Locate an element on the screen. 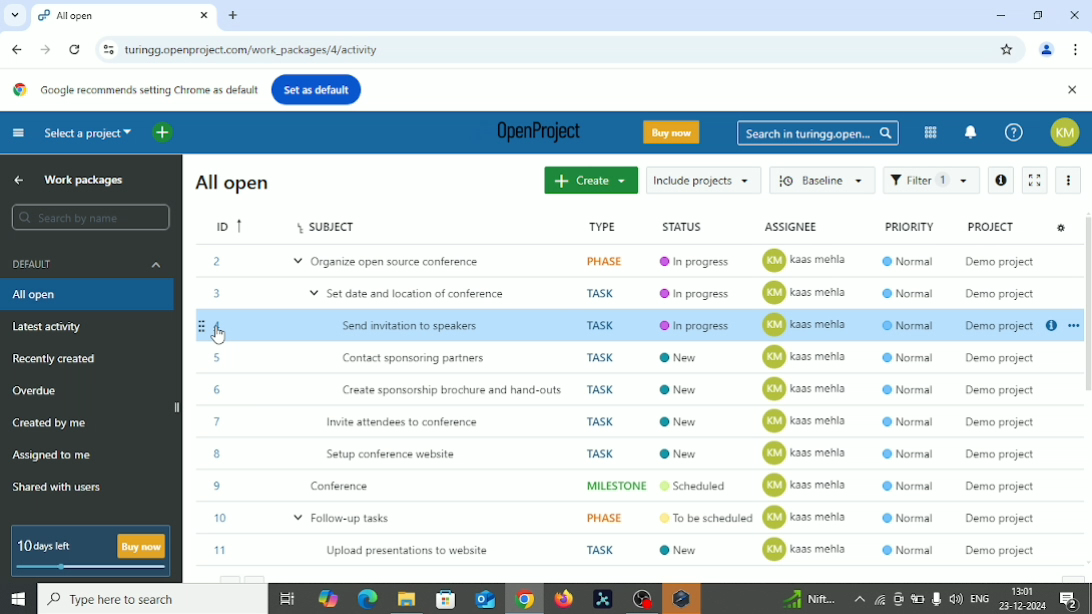 The height and width of the screenshot is (614, 1092). Account is located at coordinates (1069, 132).